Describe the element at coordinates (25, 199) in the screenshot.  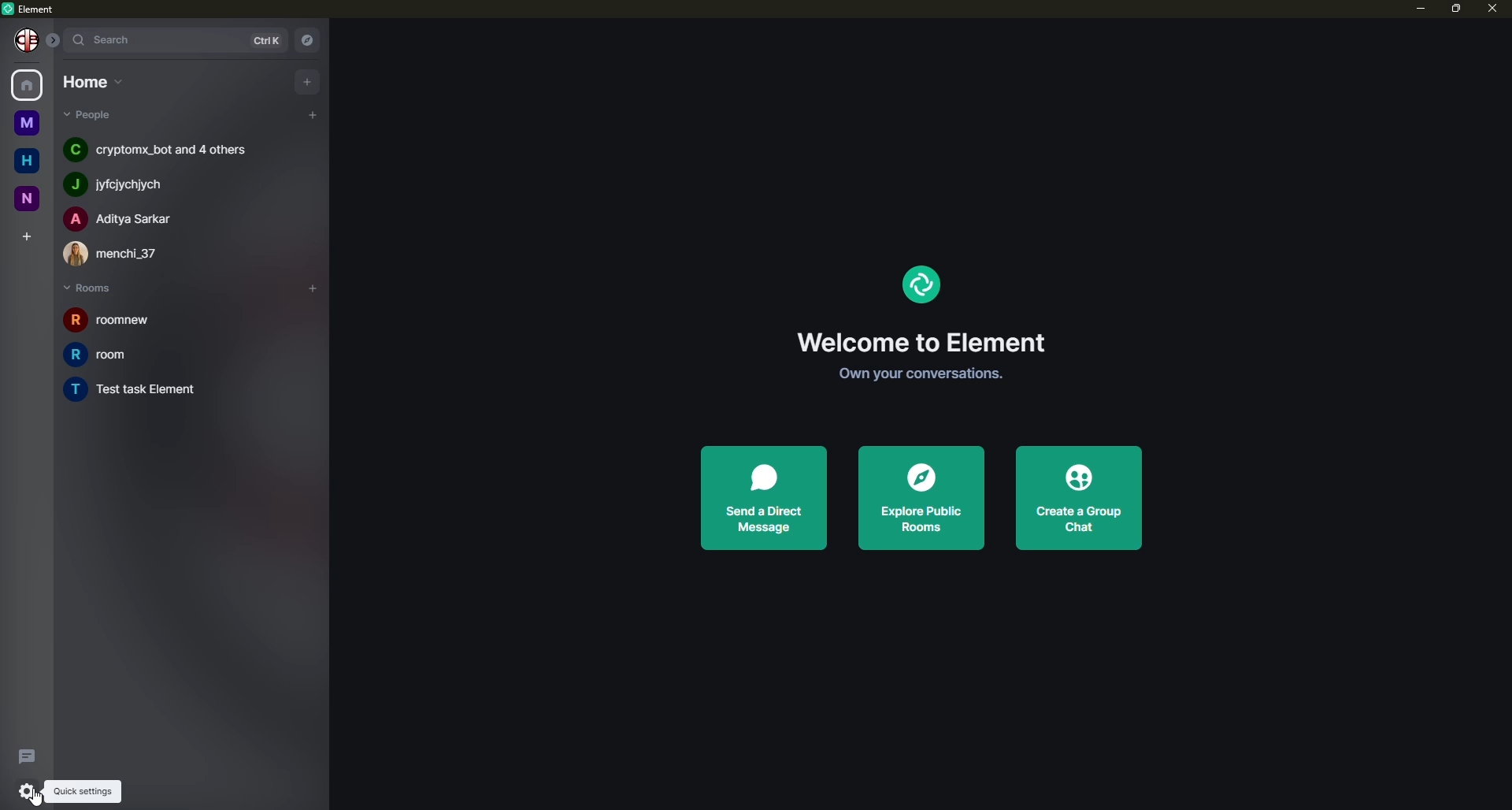
I see `new` at that location.